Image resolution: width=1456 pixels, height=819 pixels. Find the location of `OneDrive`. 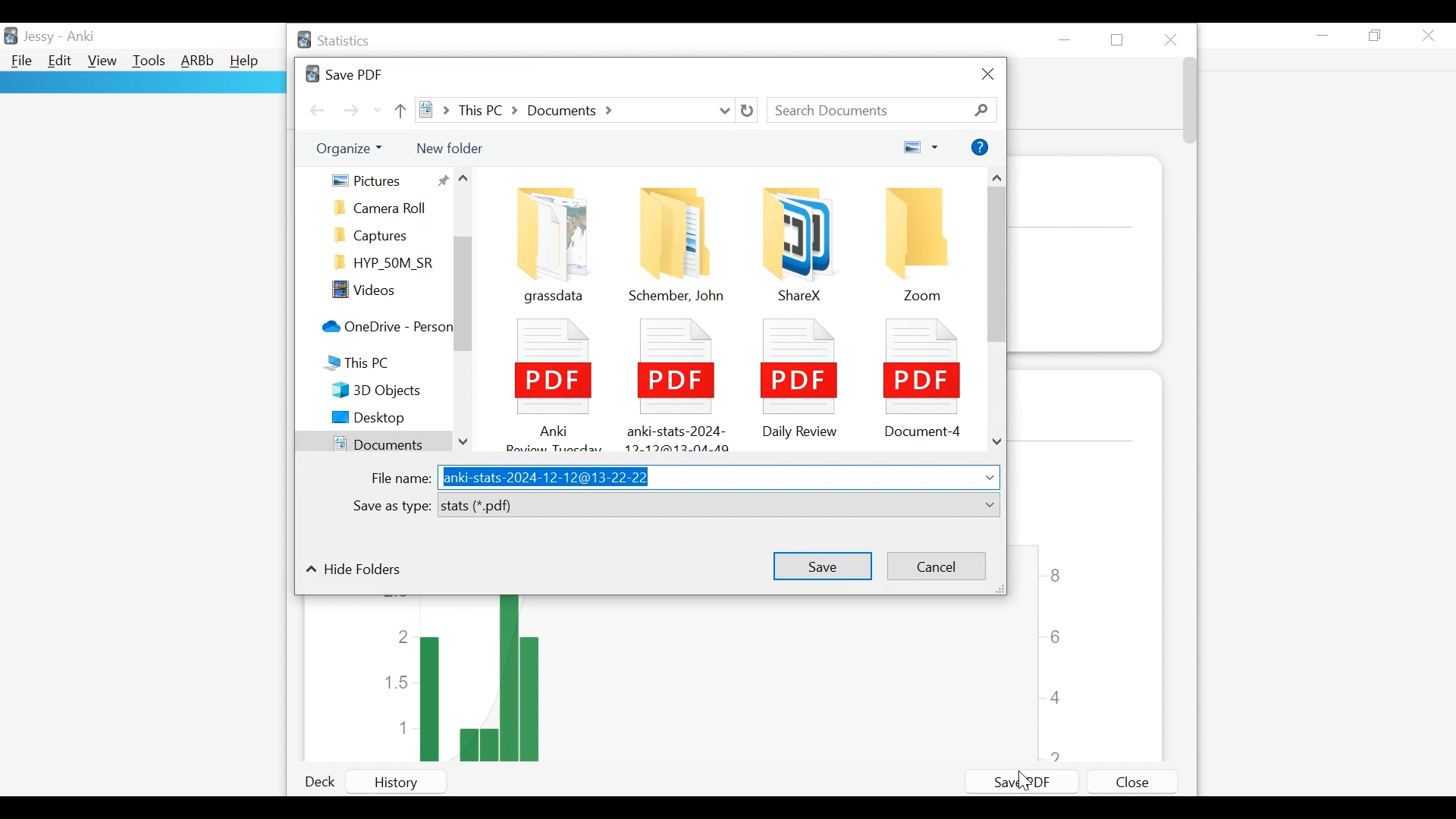

OneDrive is located at coordinates (384, 328).